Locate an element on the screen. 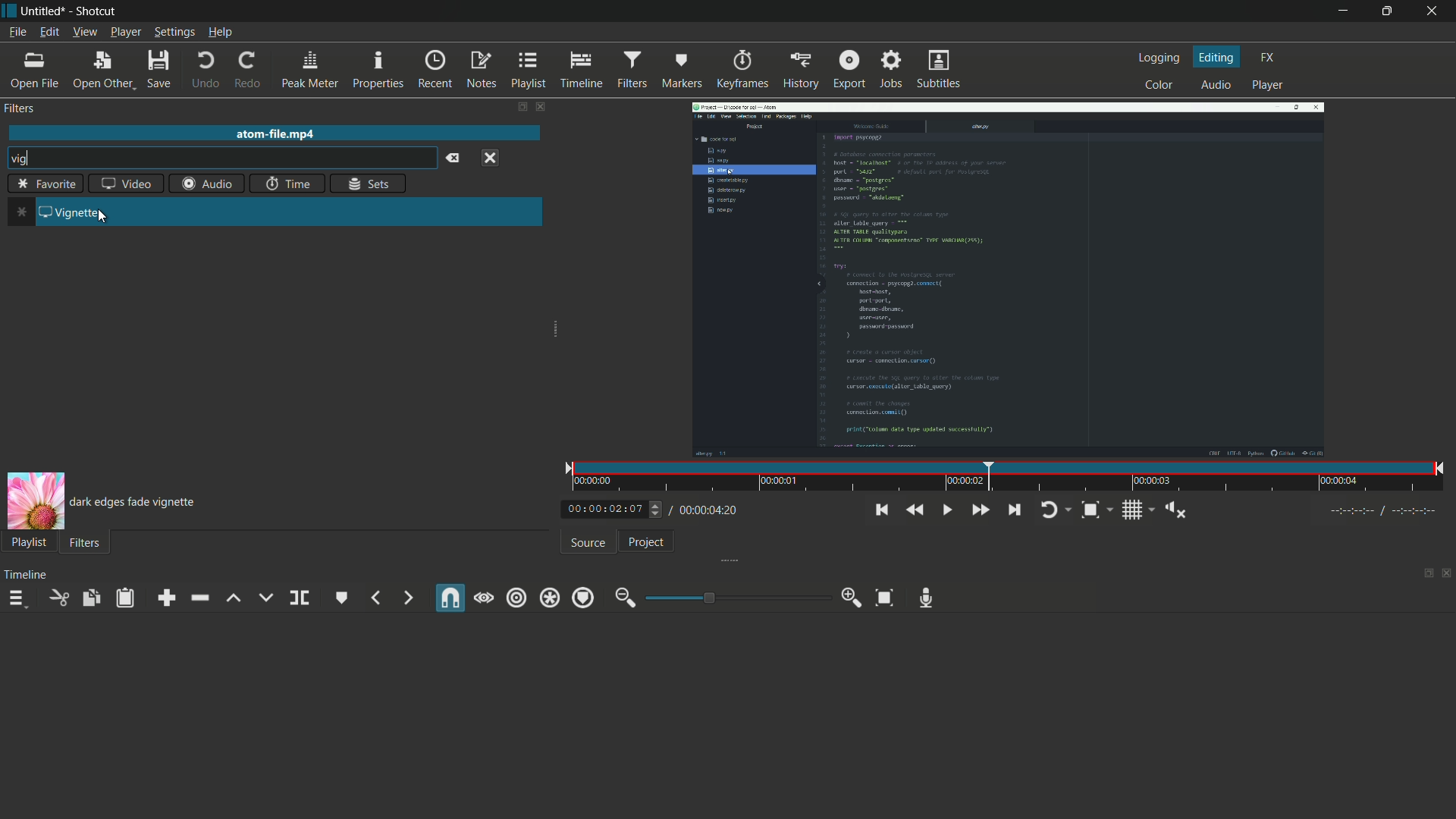 This screenshot has width=1456, height=819. zoom in is located at coordinates (852, 598).